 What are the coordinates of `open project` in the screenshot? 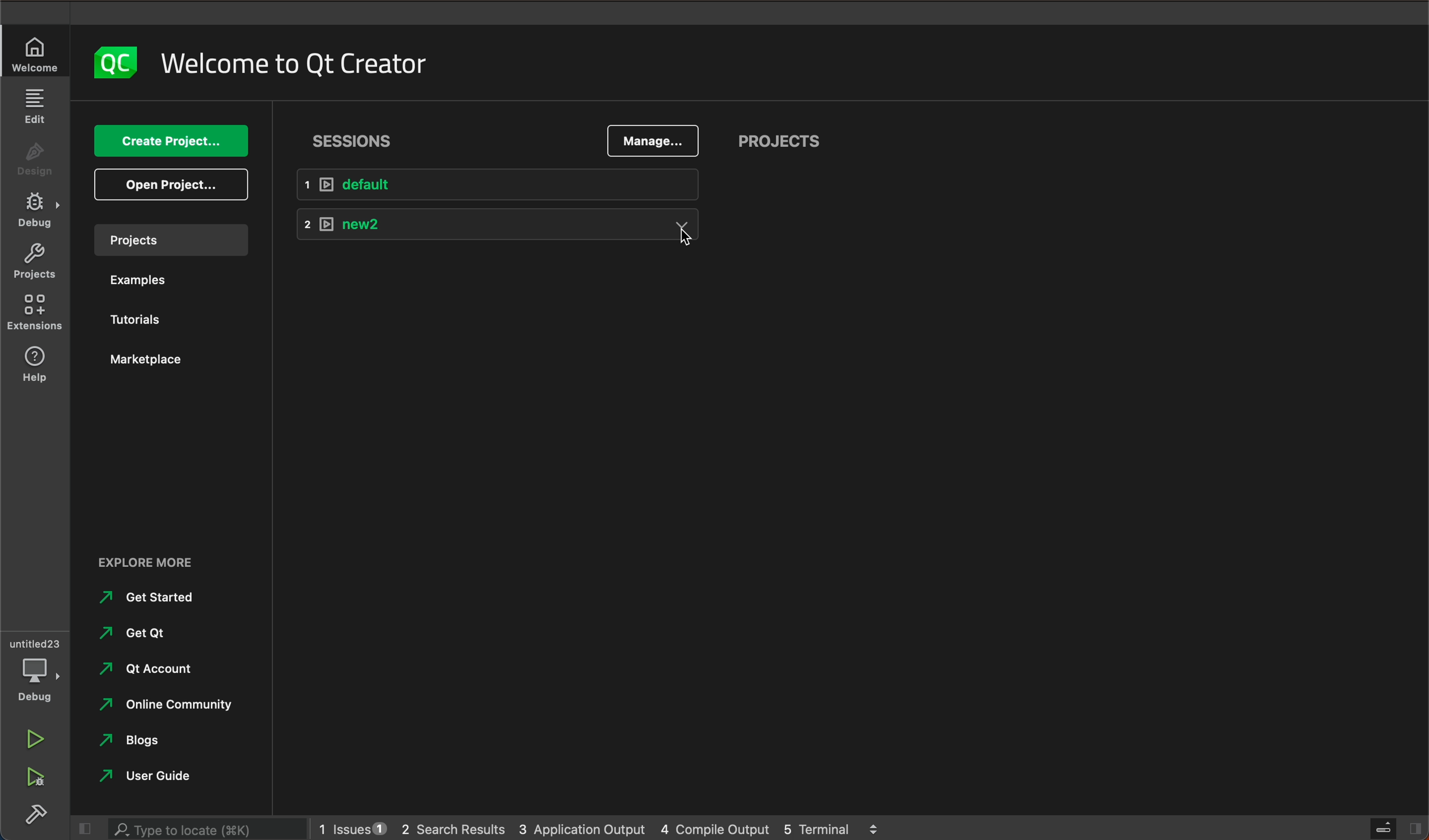 It's located at (170, 184).